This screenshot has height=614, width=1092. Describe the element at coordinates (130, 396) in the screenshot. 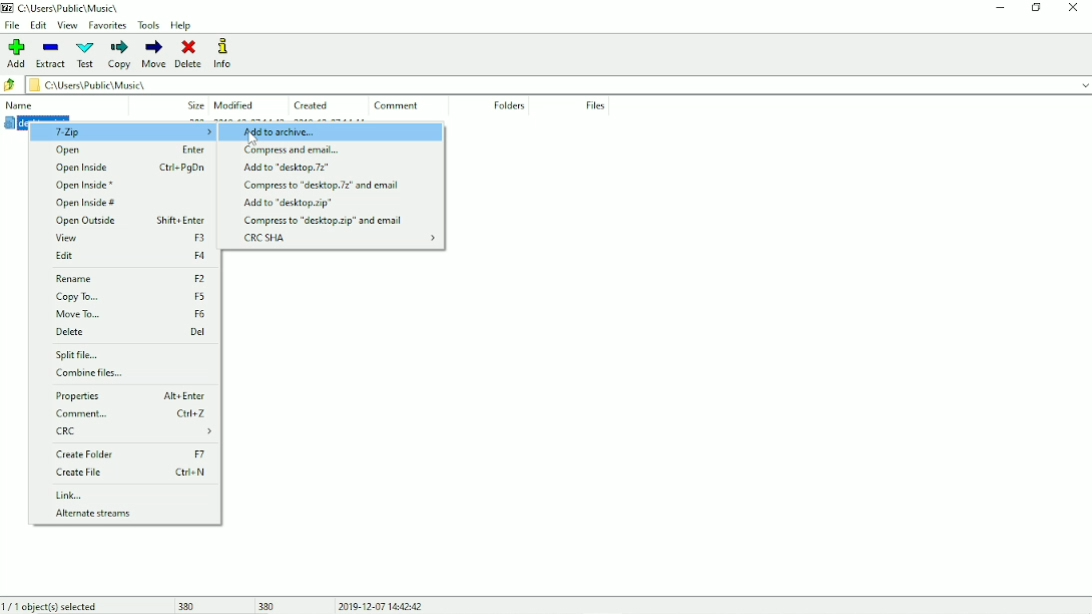

I see `Properties` at that location.